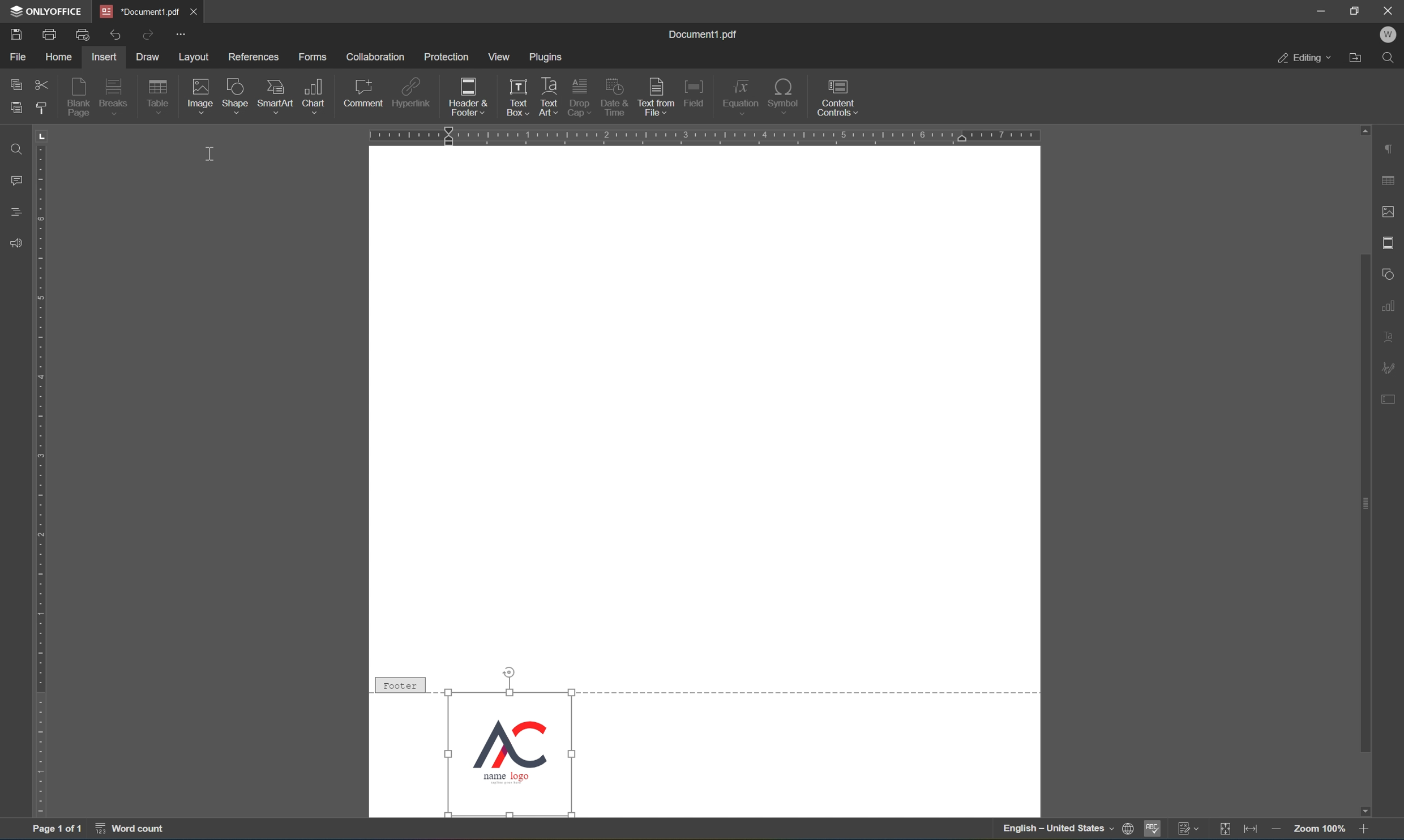  Describe the element at coordinates (196, 57) in the screenshot. I see `layout` at that location.